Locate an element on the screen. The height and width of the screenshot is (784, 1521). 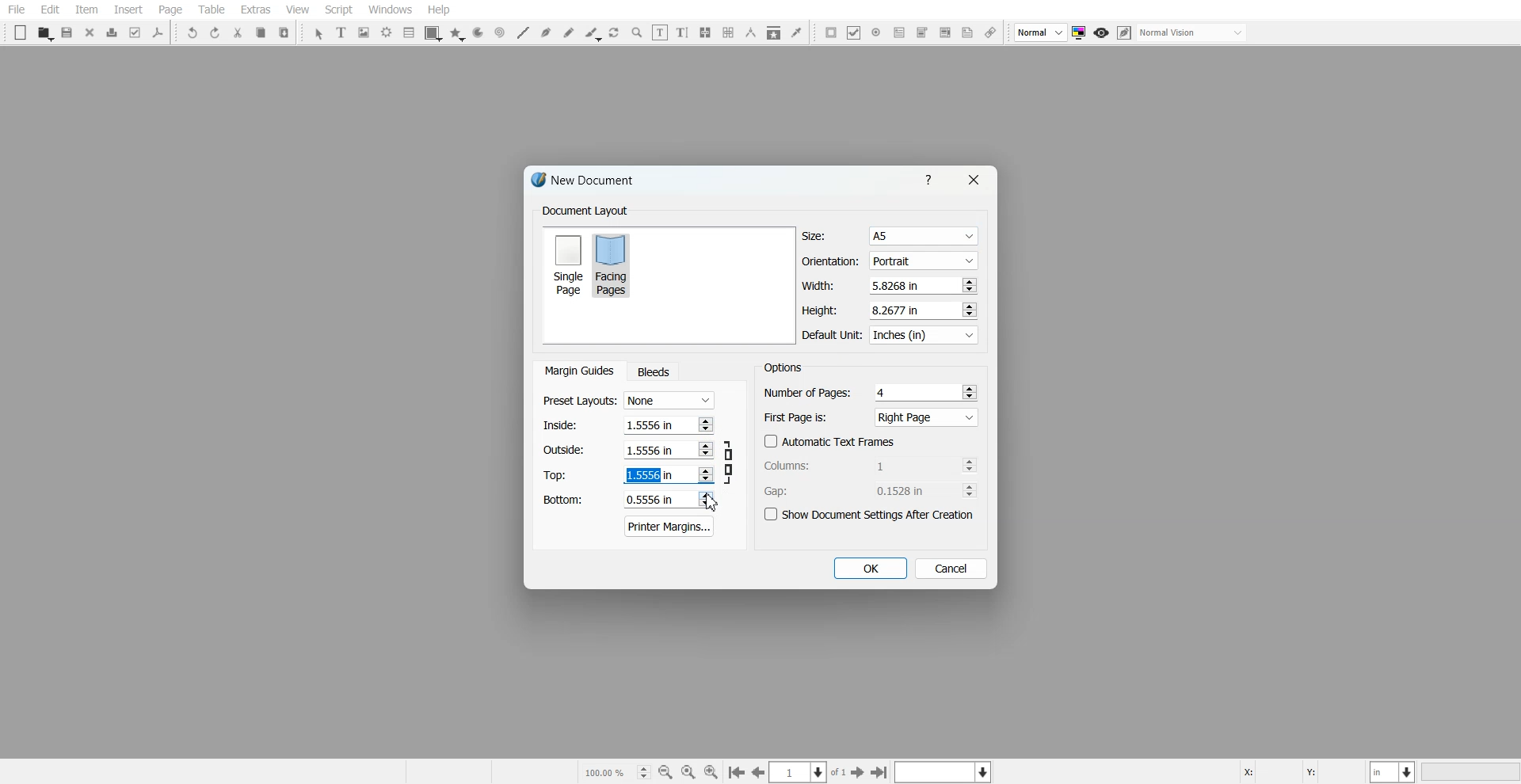
Select the current layer is located at coordinates (945, 771).